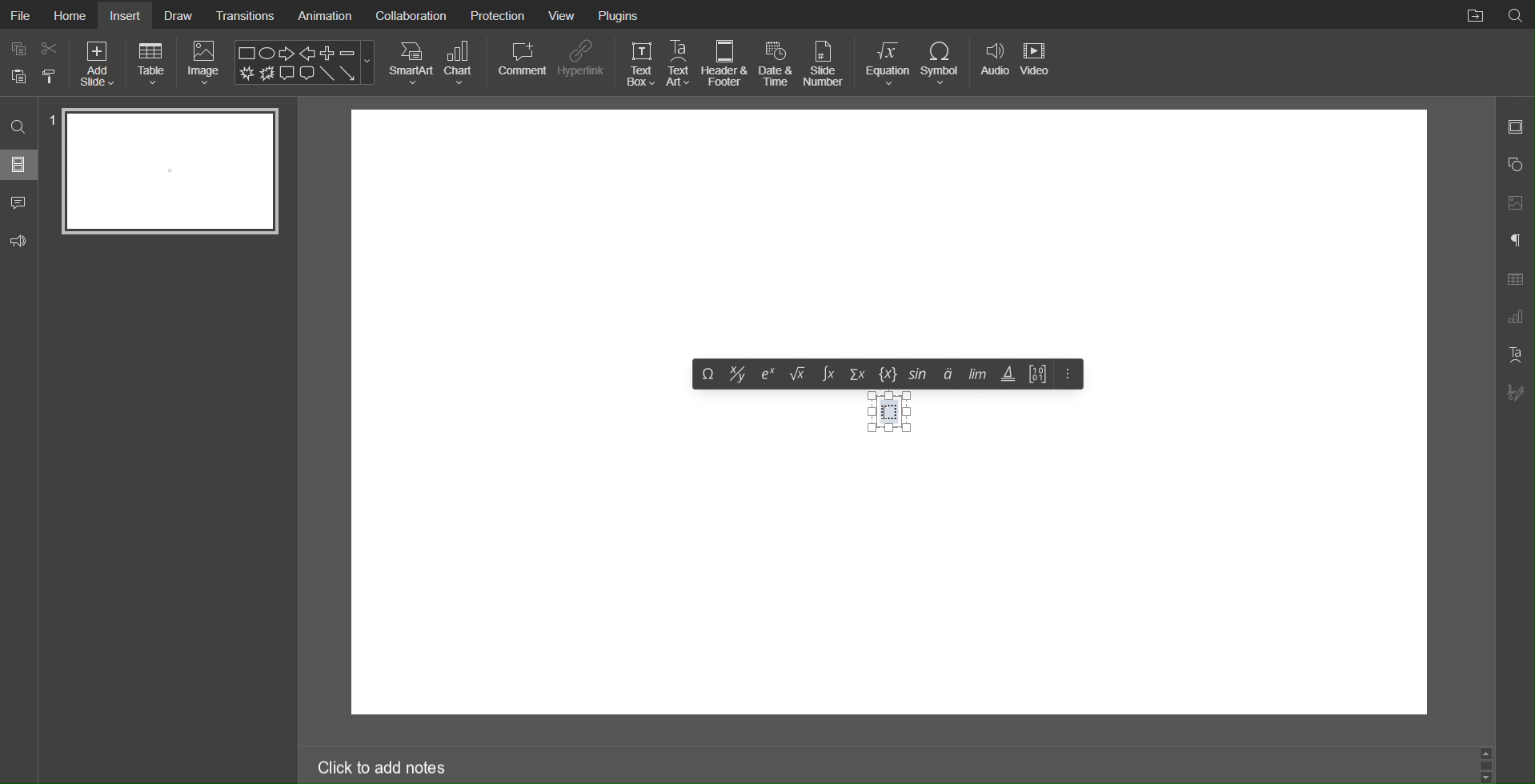  I want to click on Fractions, so click(737, 374).